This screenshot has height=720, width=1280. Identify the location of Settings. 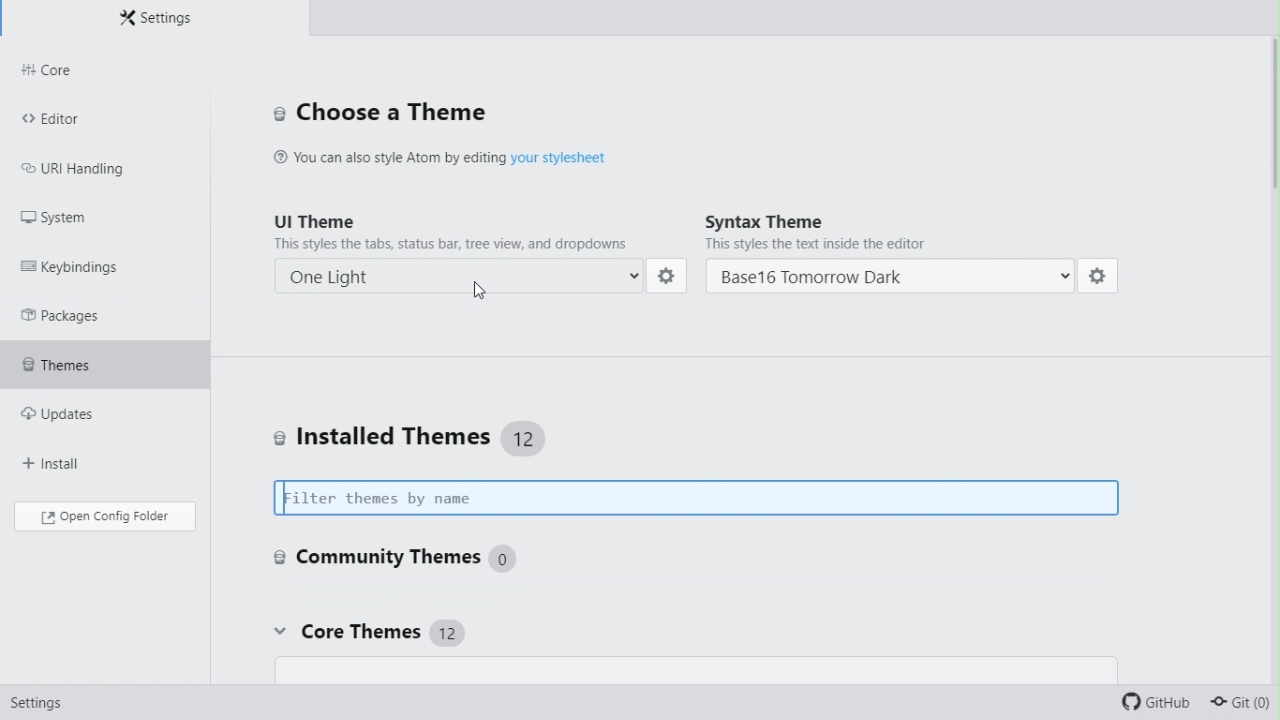
(31, 705).